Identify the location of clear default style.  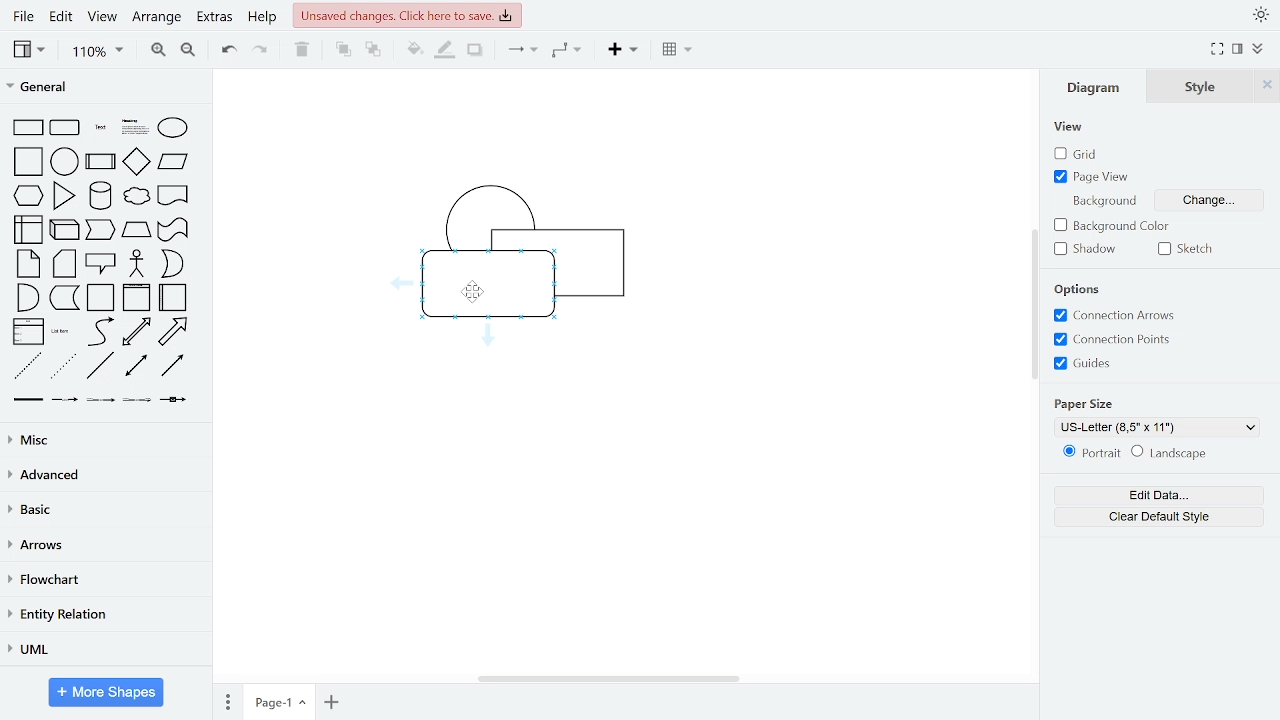
(1154, 517).